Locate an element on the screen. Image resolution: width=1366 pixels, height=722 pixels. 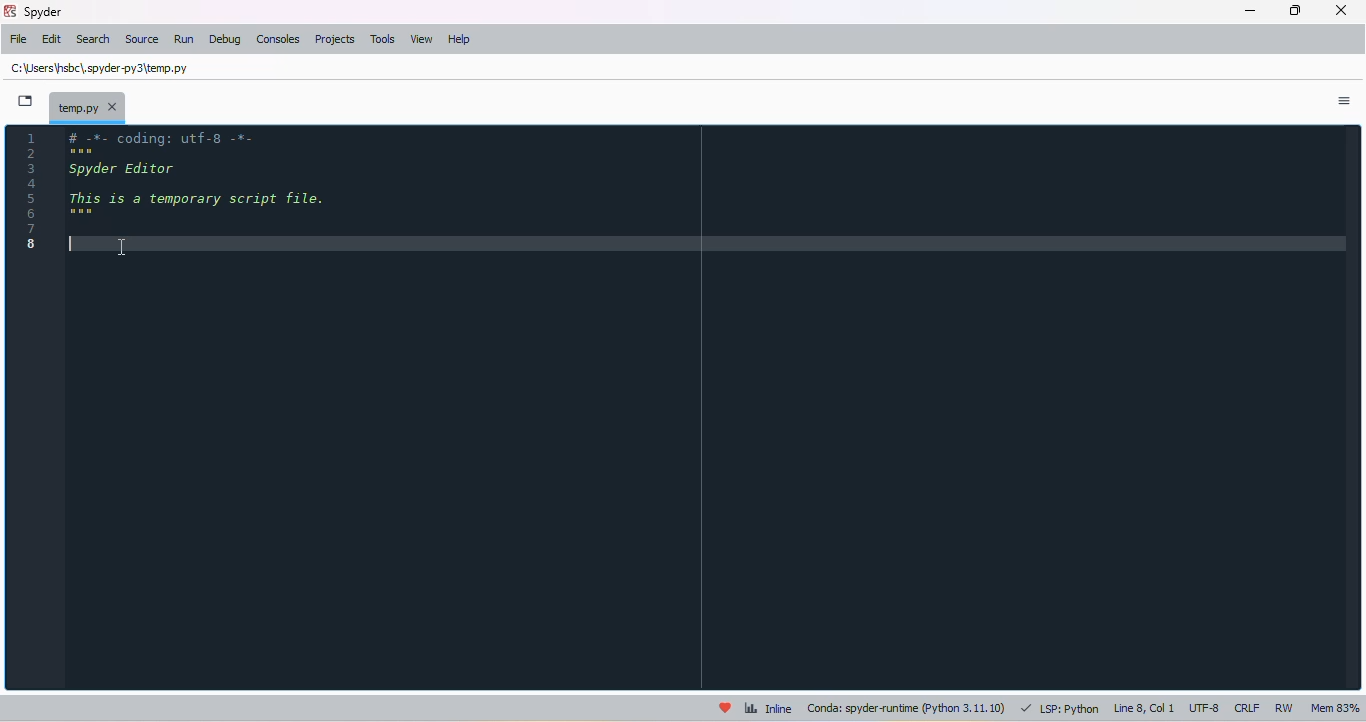
maximize is located at coordinates (1296, 10).